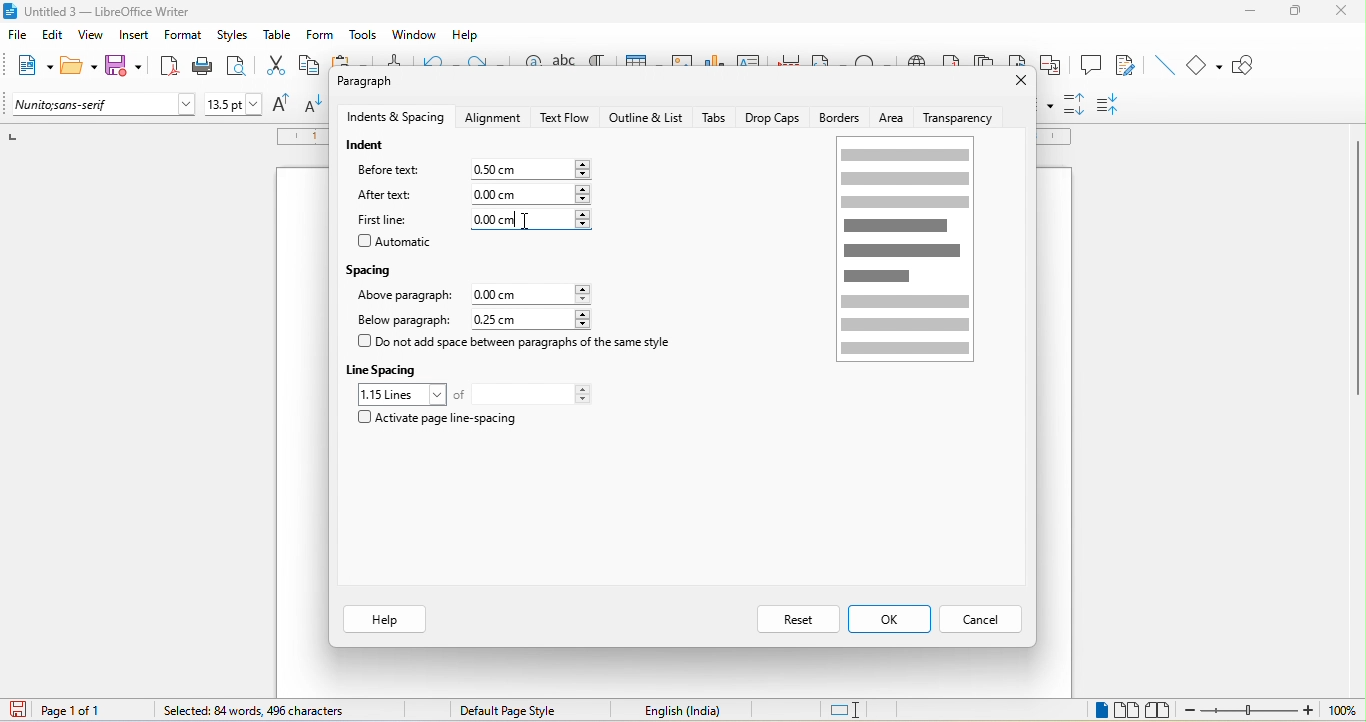 The height and width of the screenshot is (722, 1366). I want to click on paragraph, so click(374, 85).